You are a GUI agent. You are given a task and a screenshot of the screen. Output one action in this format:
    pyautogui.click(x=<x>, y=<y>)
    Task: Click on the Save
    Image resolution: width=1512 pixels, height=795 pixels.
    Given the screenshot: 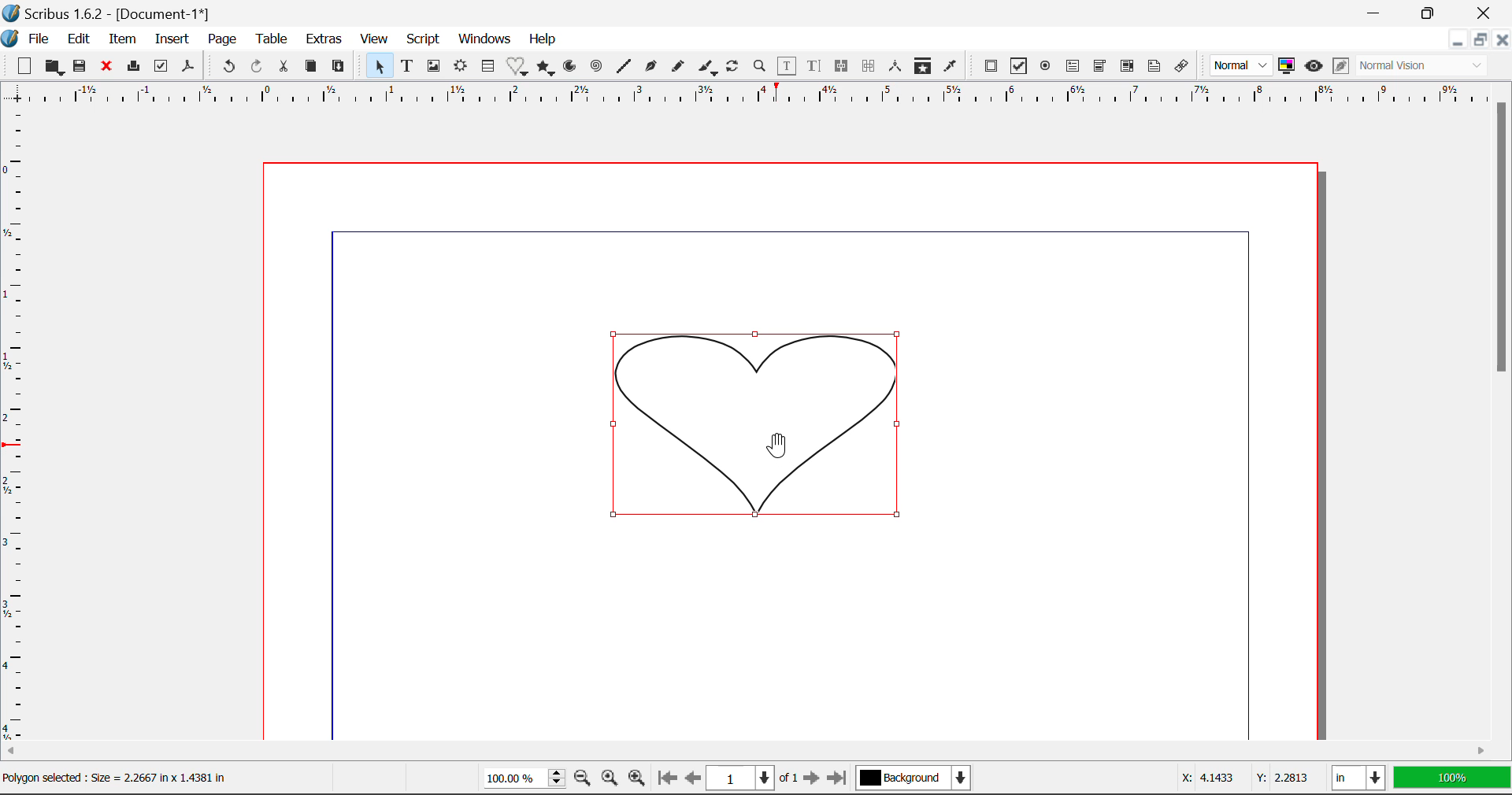 What is the action you would take?
    pyautogui.click(x=84, y=68)
    